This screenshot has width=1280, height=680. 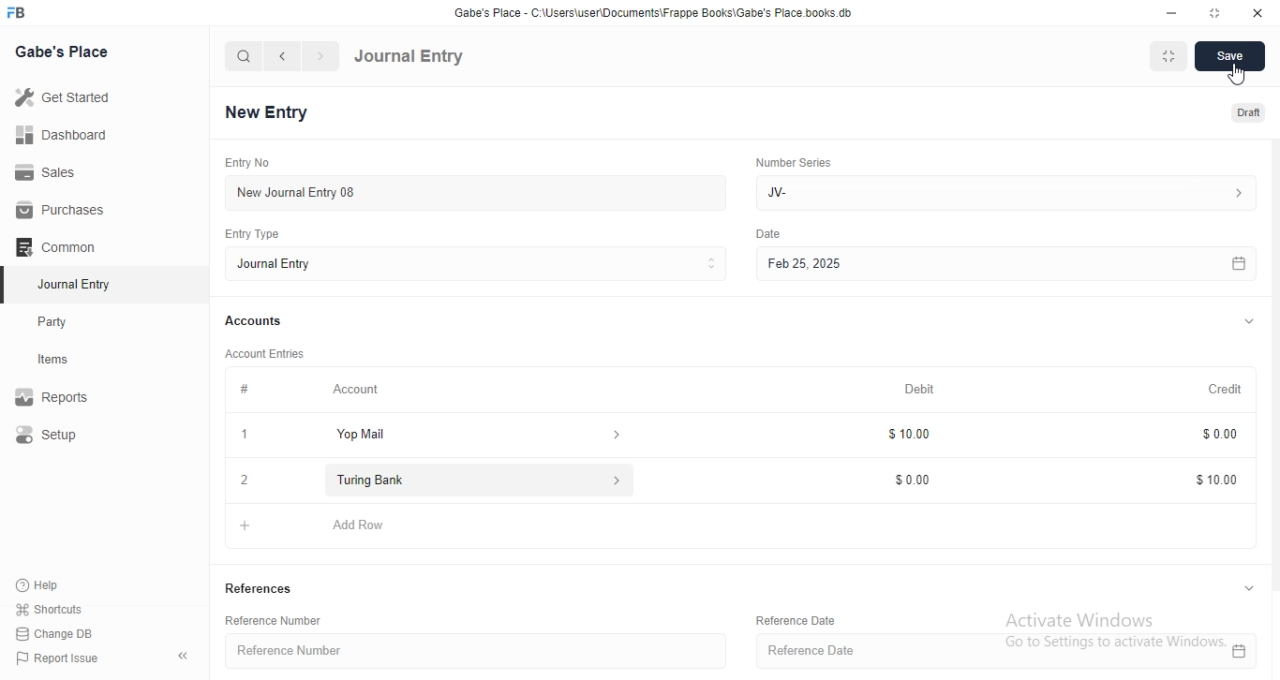 What do you see at coordinates (72, 361) in the screenshot?
I see `Items` at bounding box center [72, 361].